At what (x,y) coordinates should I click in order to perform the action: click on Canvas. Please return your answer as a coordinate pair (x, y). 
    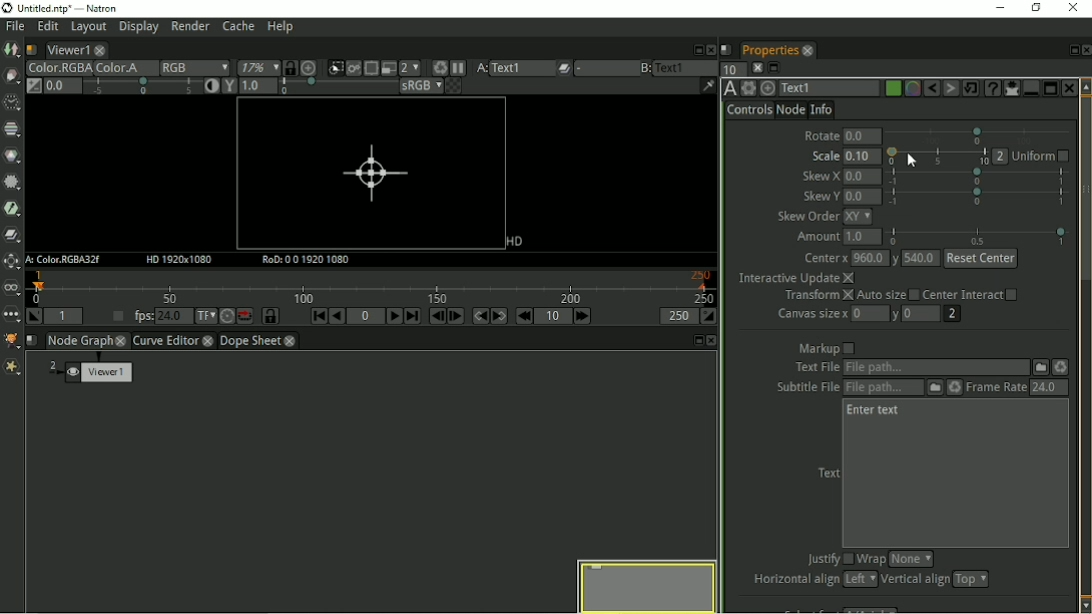
    Looking at the image, I should click on (371, 173).